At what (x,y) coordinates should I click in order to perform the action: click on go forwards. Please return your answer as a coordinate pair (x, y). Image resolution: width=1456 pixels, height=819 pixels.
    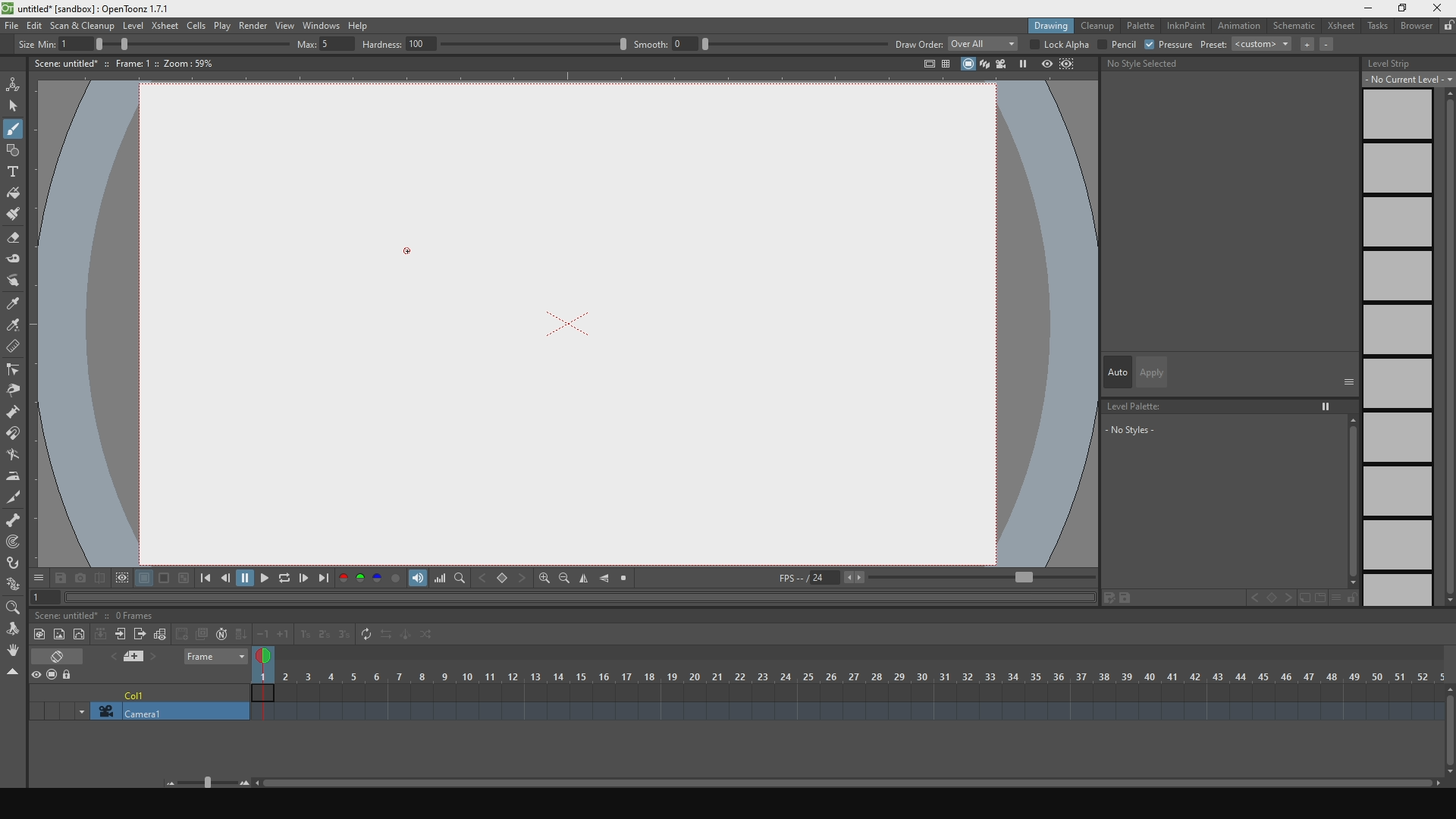
    Looking at the image, I should click on (306, 579).